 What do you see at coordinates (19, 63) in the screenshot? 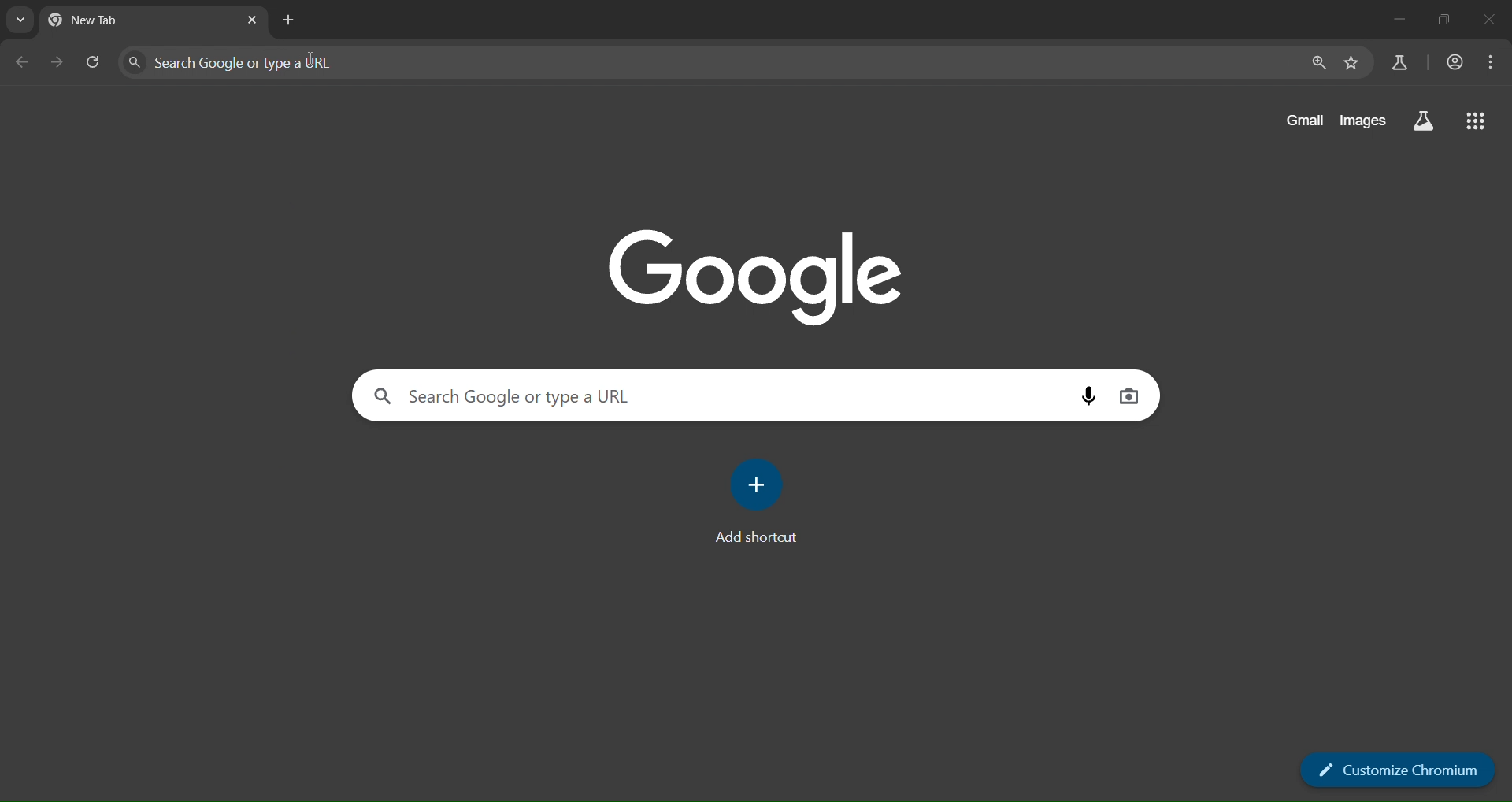
I see `go back one page` at bounding box center [19, 63].